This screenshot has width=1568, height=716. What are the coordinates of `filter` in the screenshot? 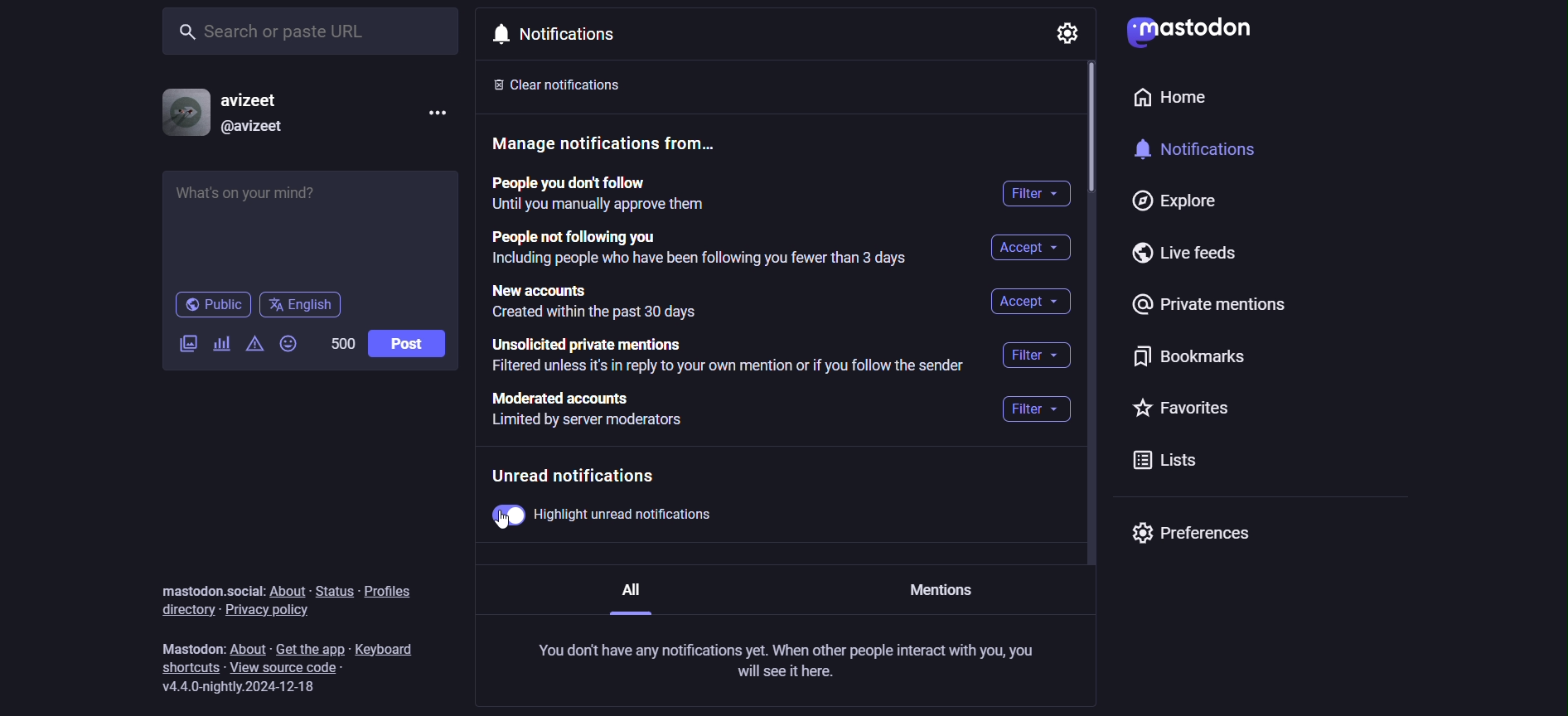 It's located at (1039, 196).